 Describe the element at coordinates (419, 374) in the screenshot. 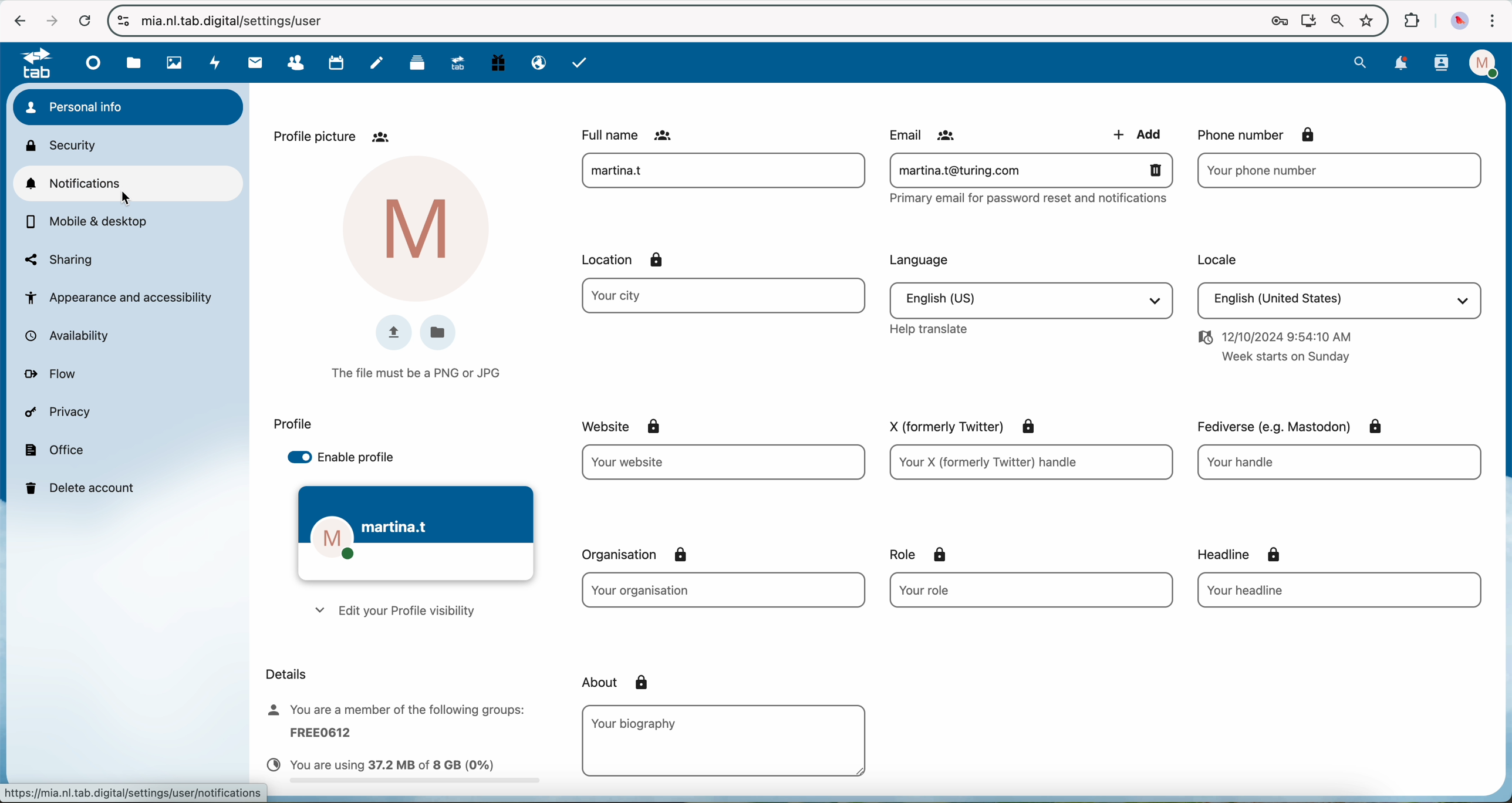

I see `the file must be a PNG or JPG` at that location.